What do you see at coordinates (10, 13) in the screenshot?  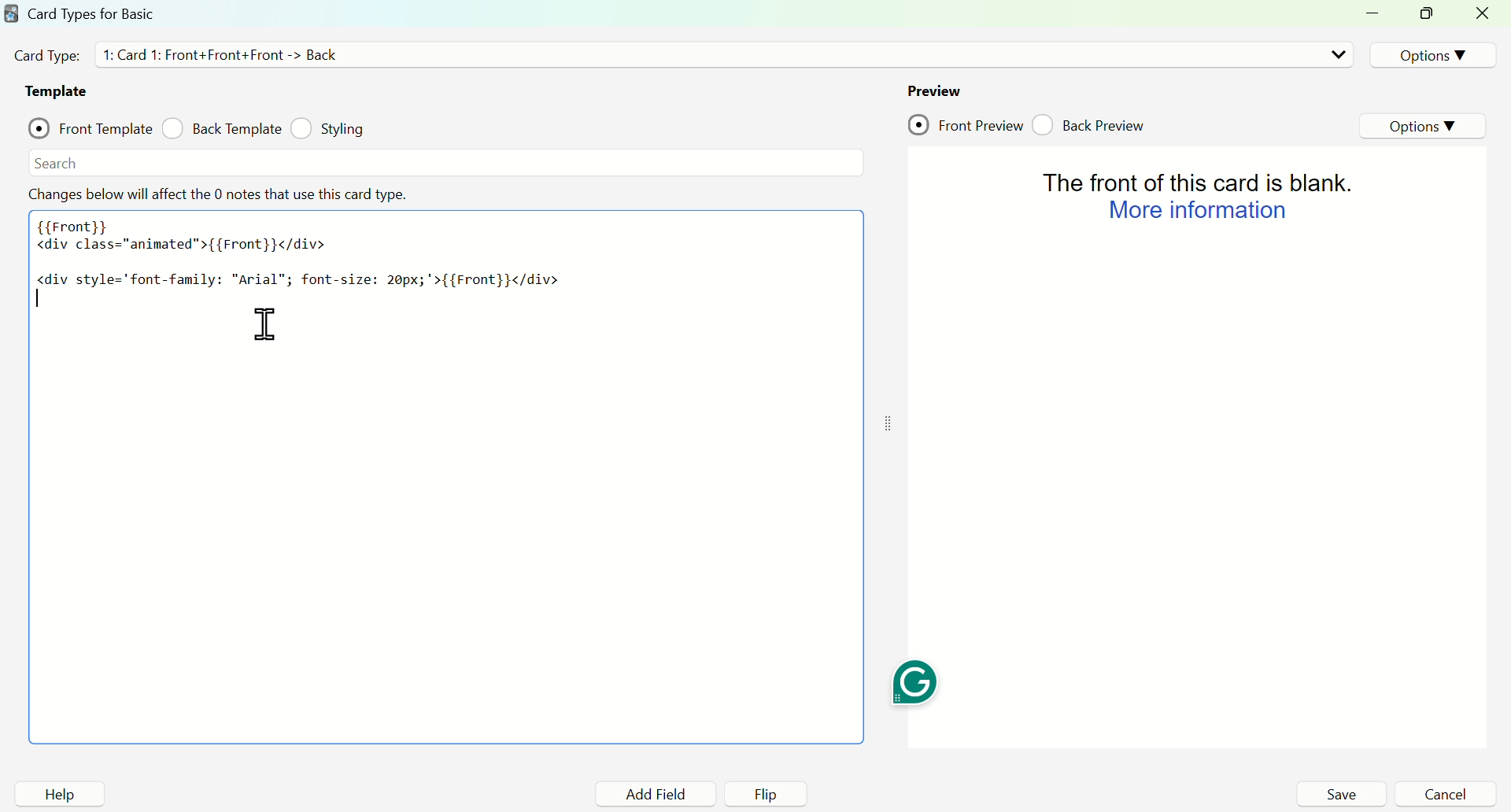 I see `logo` at bounding box center [10, 13].